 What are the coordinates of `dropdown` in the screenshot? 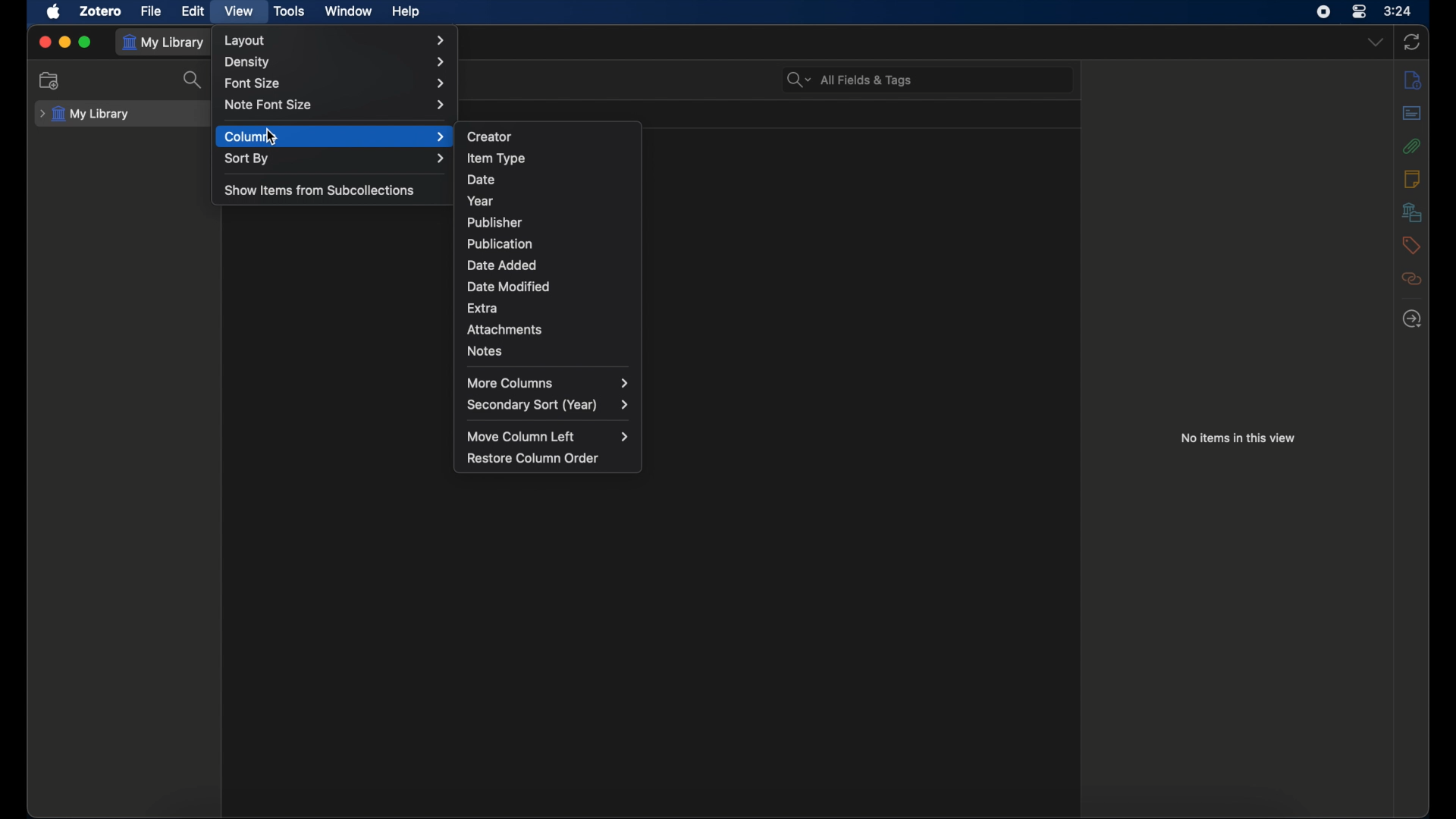 It's located at (1376, 42).